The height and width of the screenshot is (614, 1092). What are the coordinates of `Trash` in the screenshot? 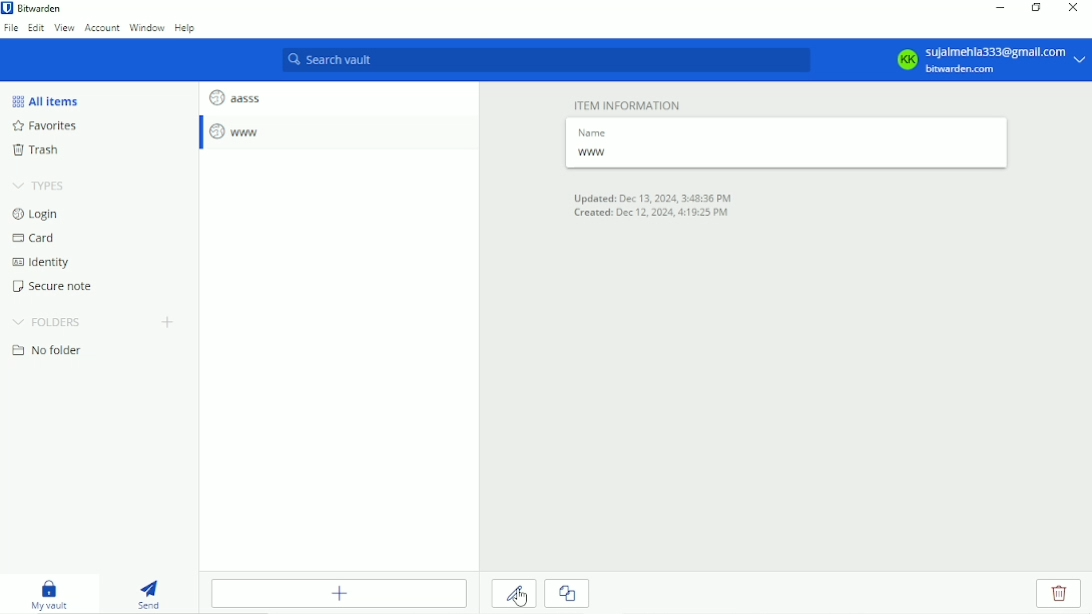 It's located at (35, 152).